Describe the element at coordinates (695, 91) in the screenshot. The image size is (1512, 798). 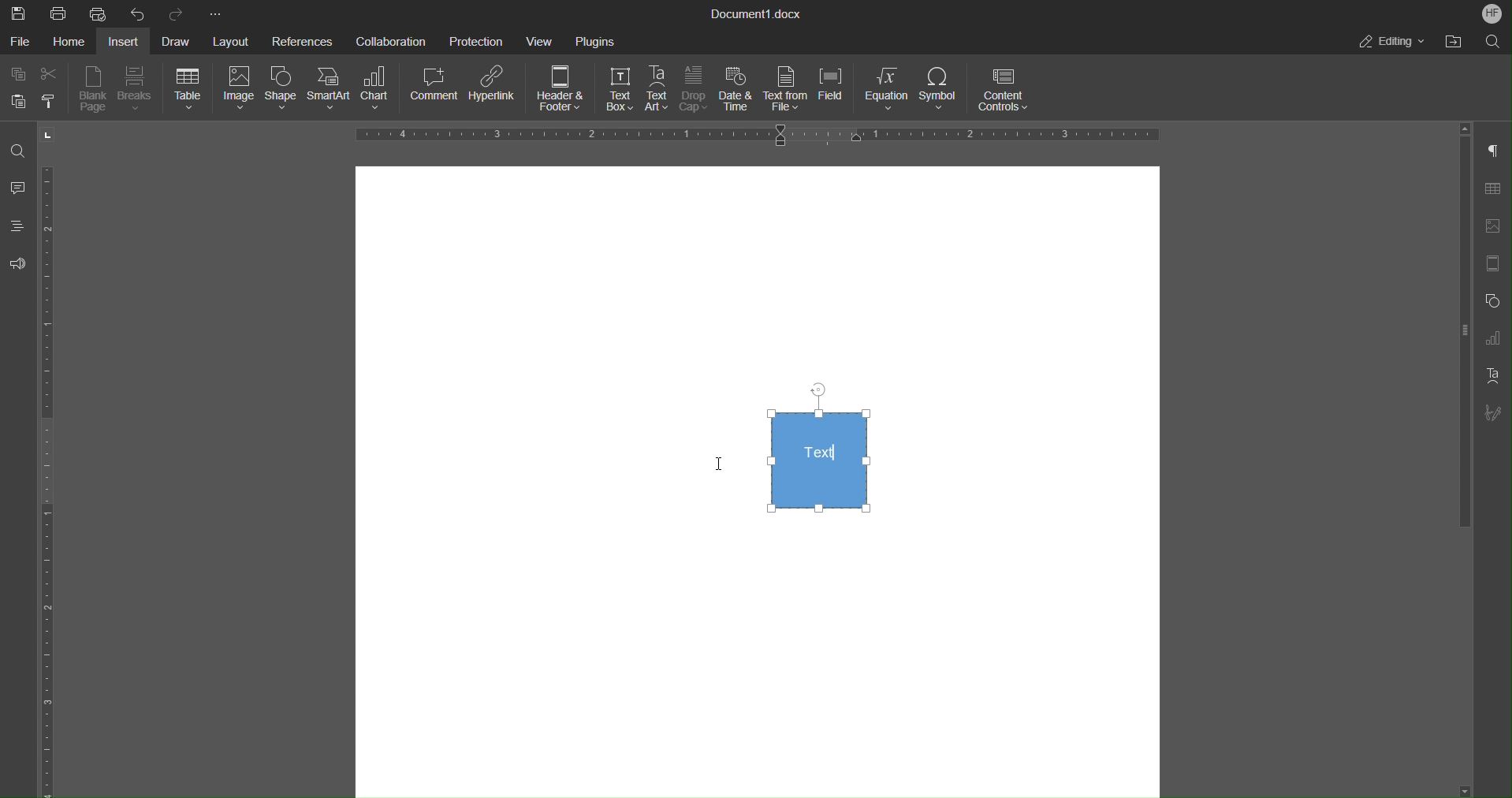
I see `Drop Cap` at that location.